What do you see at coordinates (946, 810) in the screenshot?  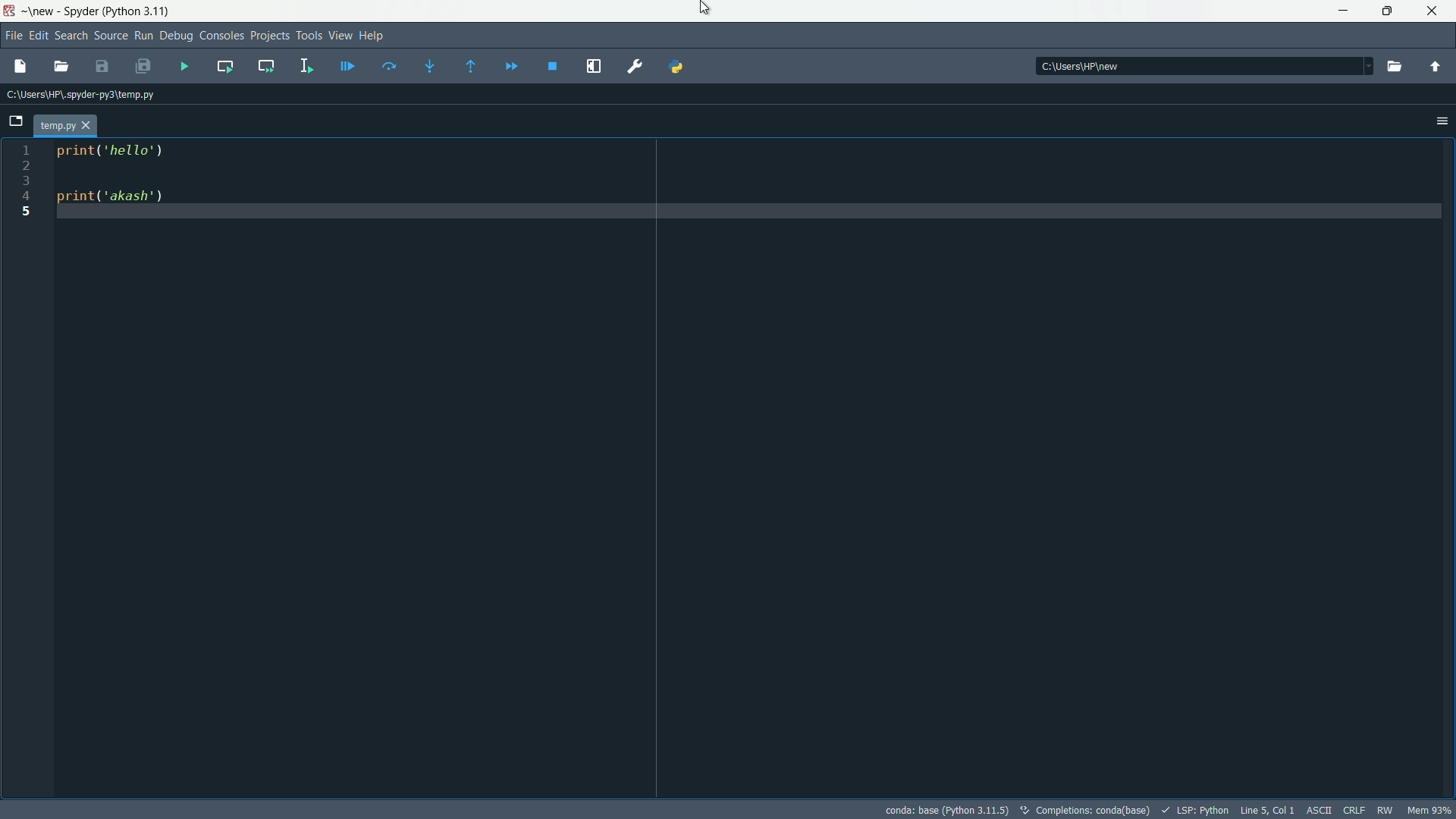 I see `interpreter` at bounding box center [946, 810].